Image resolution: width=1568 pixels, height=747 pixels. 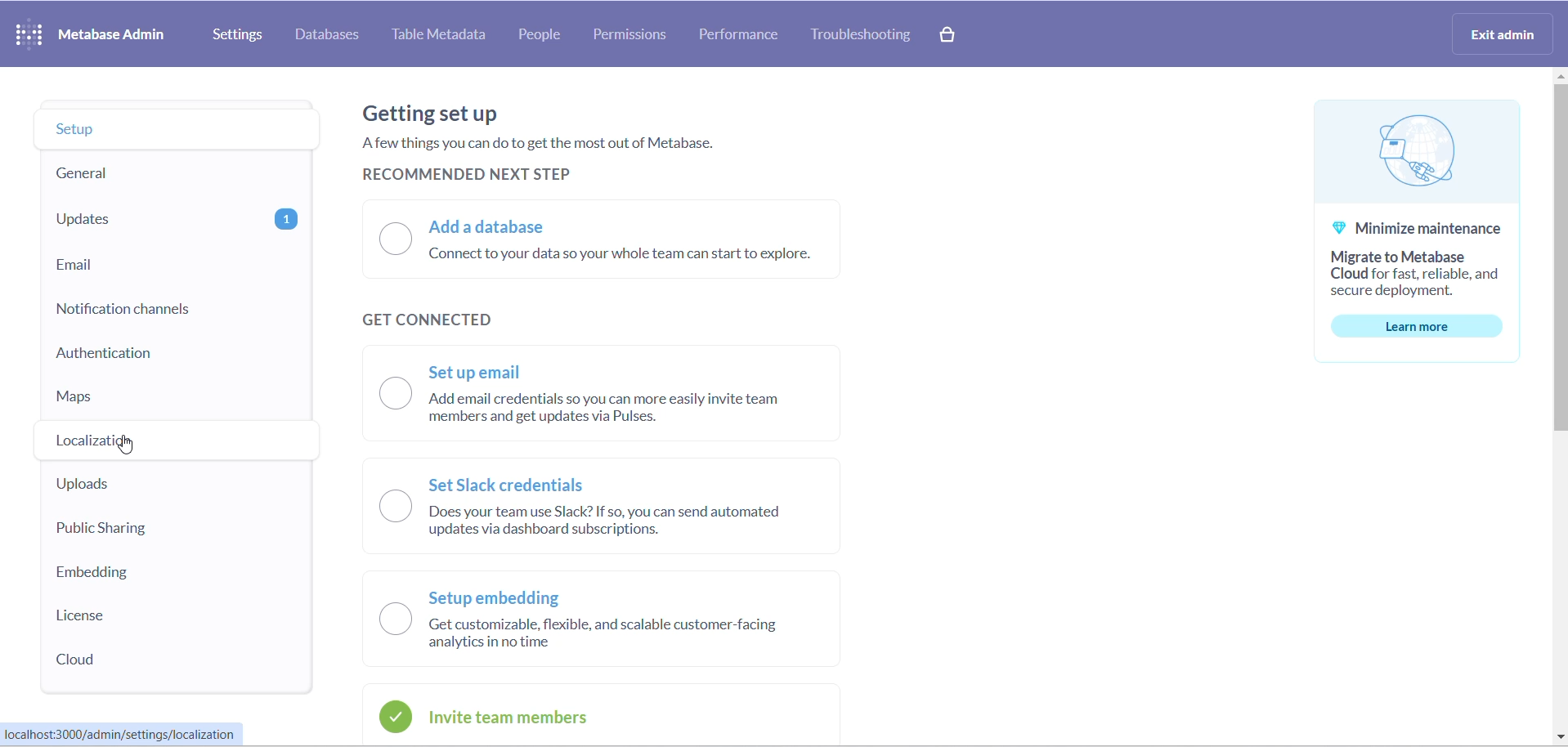 I want to click on Getting set up
A few things you can do to get the most out of Metabase.
RECOMMENDED NEXT STEP, so click(x=536, y=141).